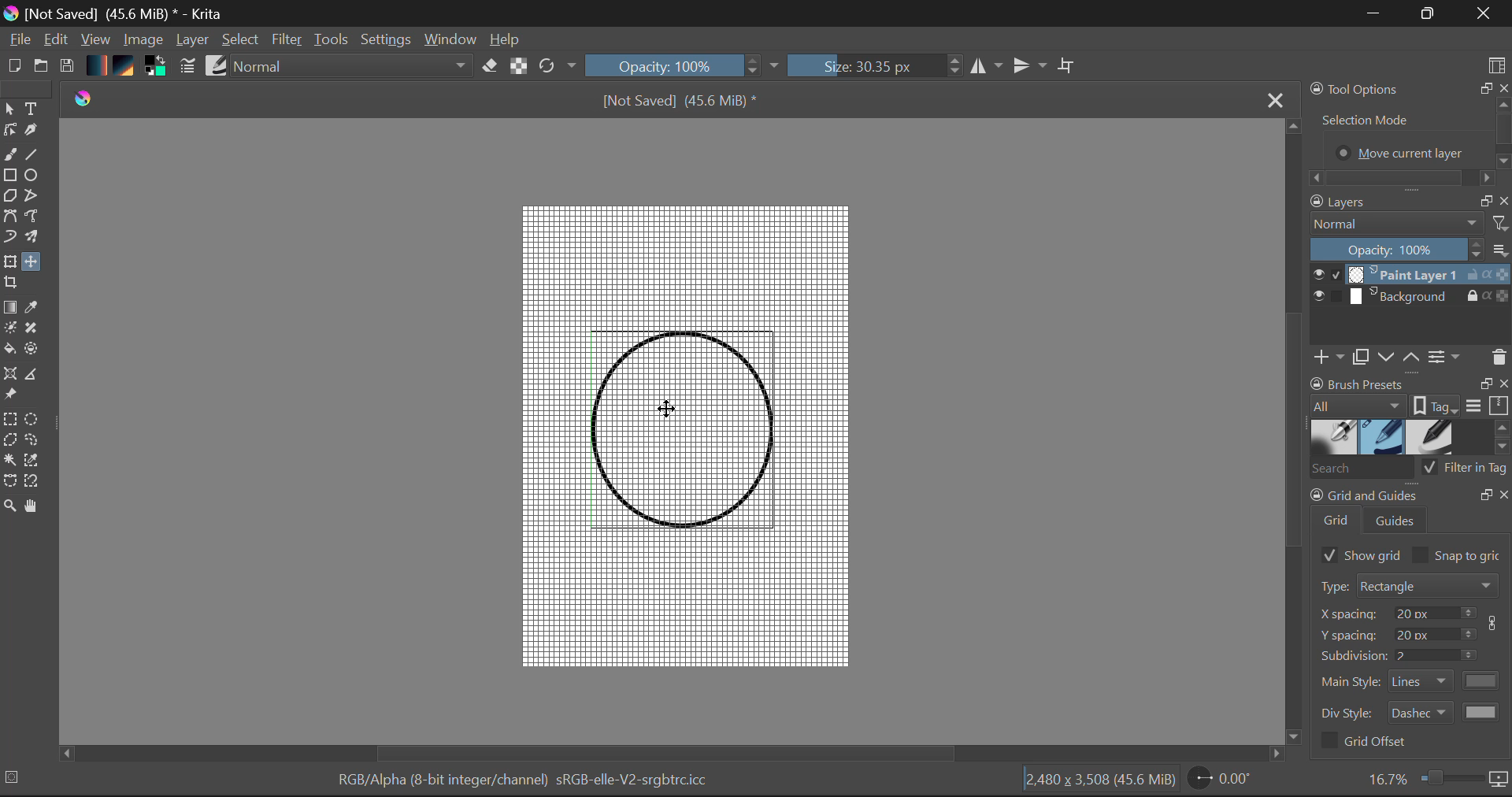  Describe the element at coordinates (38, 218) in the screenshot. I see `Freehand Path Tool` at that location.